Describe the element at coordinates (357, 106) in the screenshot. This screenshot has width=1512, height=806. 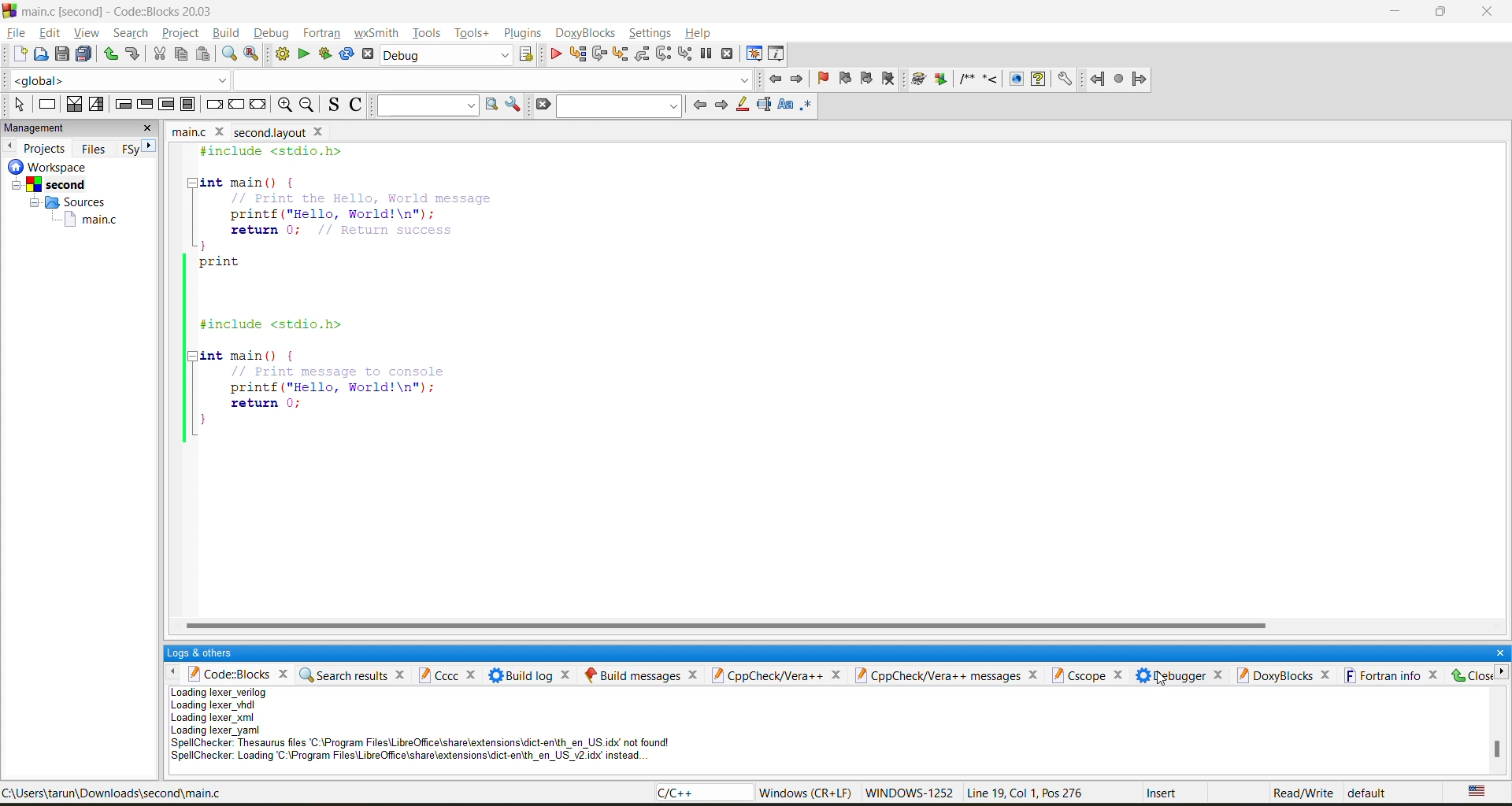
I see `toggle comments` at that location.